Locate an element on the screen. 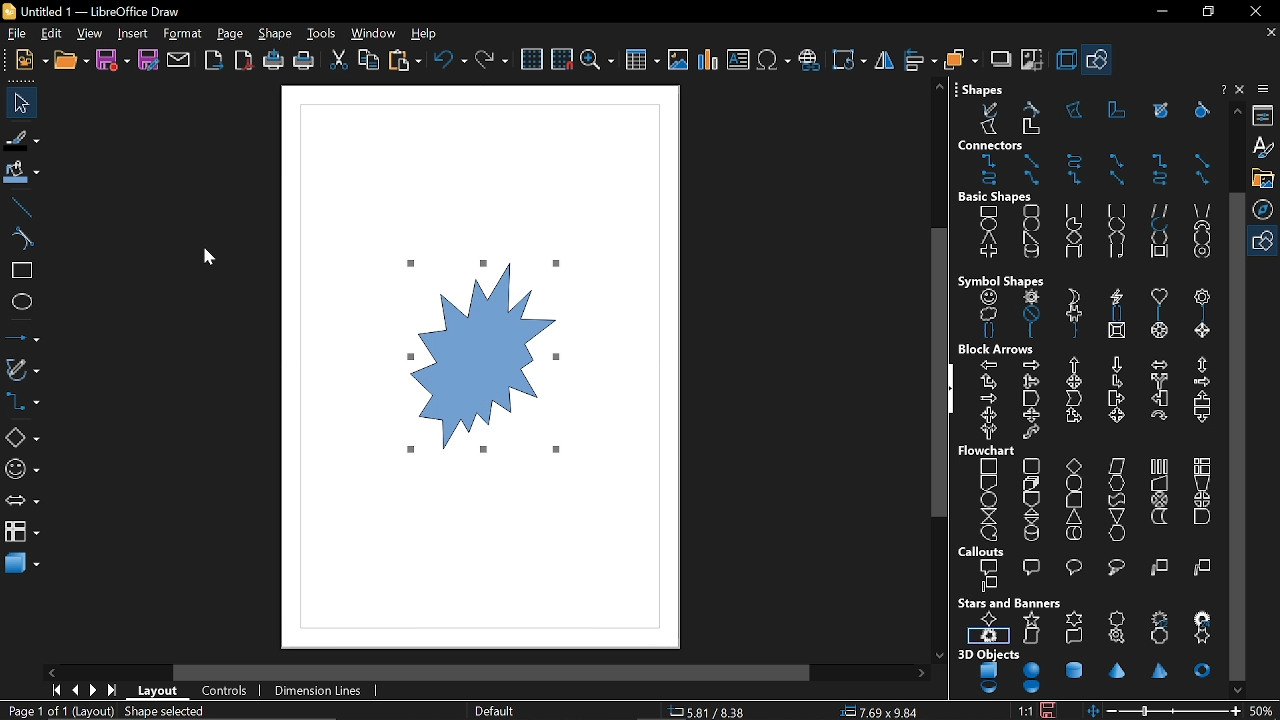  arrange is located at coordinates (959, 60).